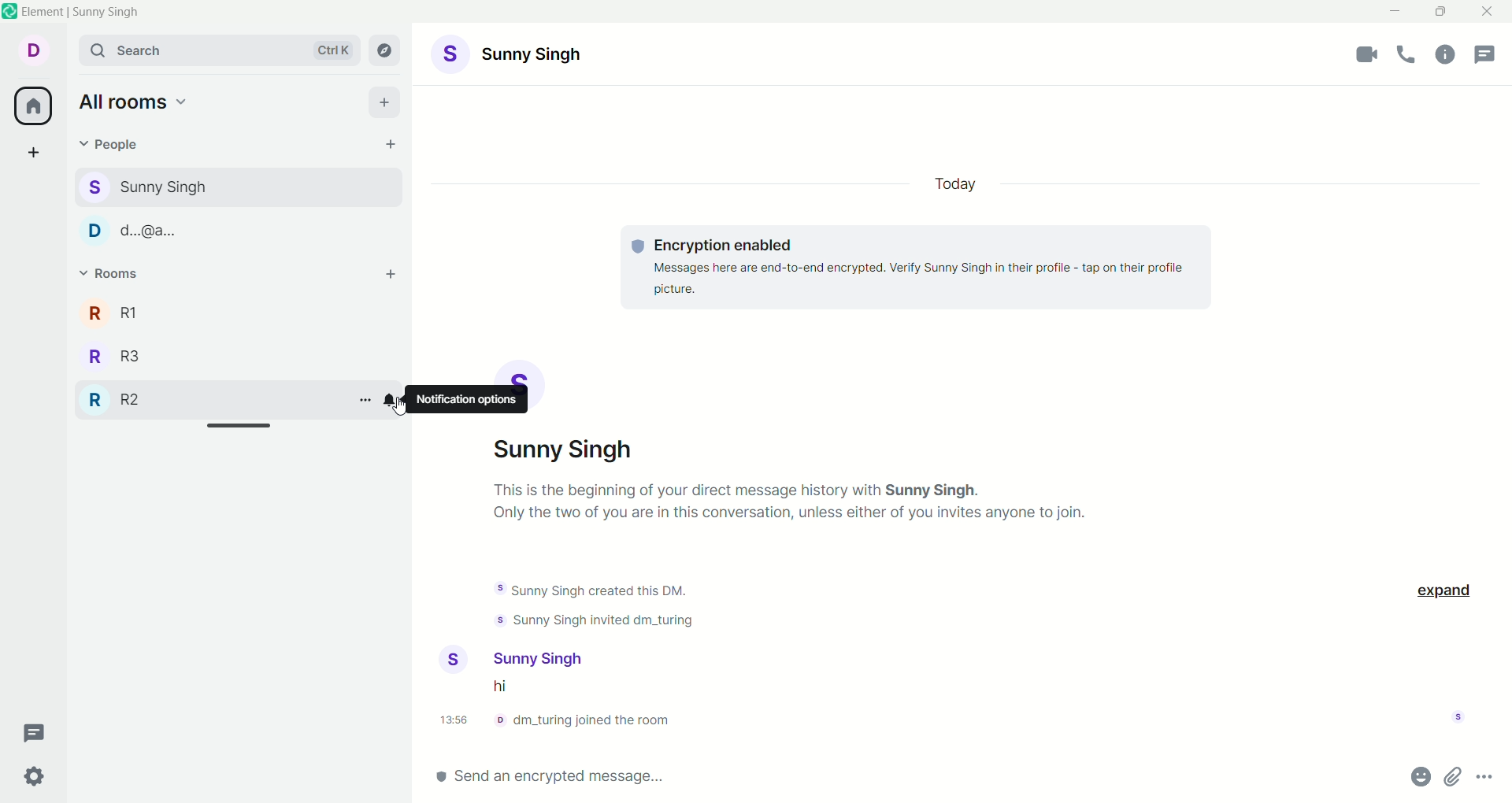 The width and height of the screenshot is (1512, 803). What do you see at coordinates (573, 773) in the screenshot?
I see `send enxrypted message` at bounding box center [573, 773].